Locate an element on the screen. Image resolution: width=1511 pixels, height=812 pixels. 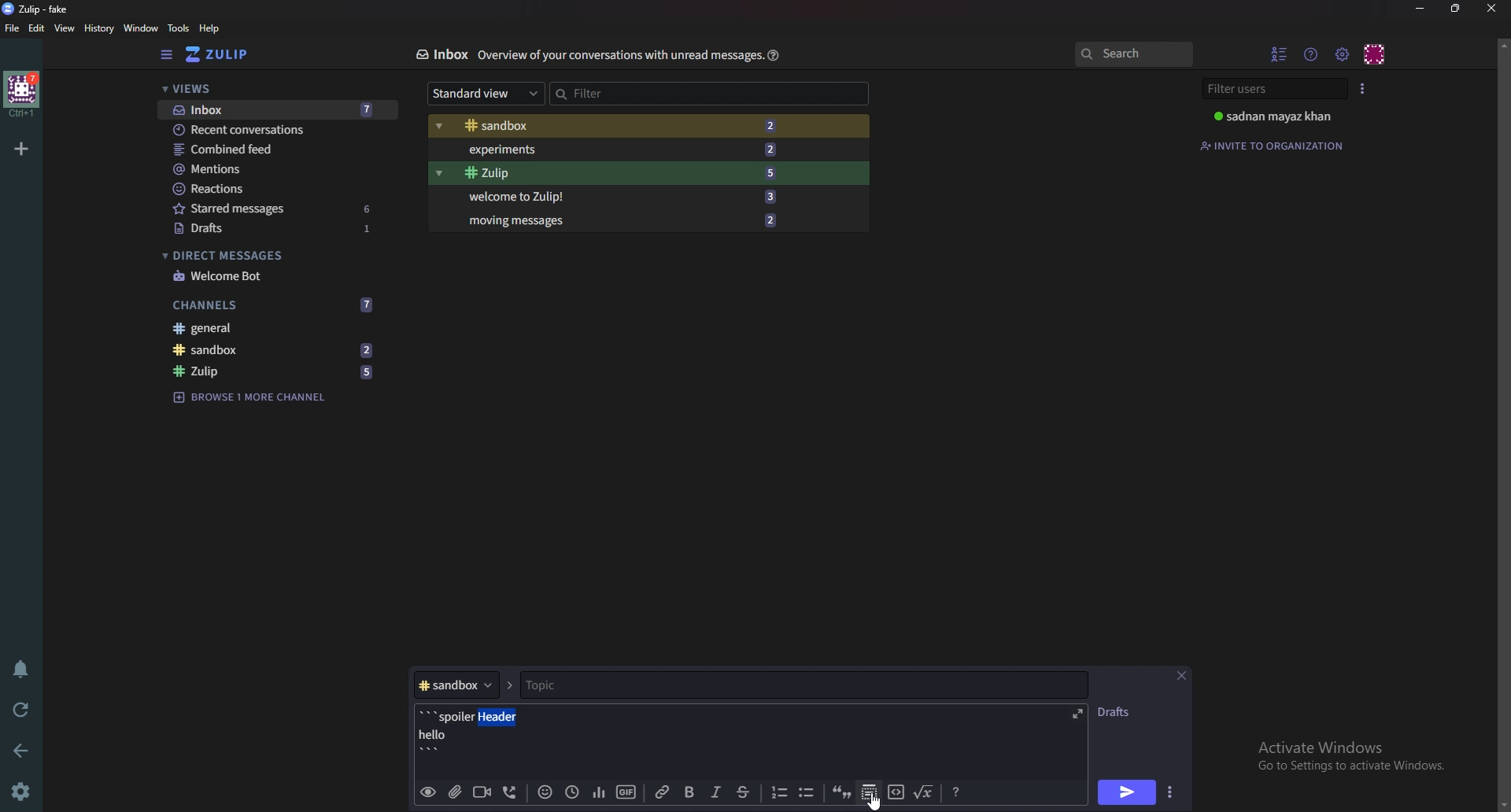
Video call is located at coordinates (480, 793).